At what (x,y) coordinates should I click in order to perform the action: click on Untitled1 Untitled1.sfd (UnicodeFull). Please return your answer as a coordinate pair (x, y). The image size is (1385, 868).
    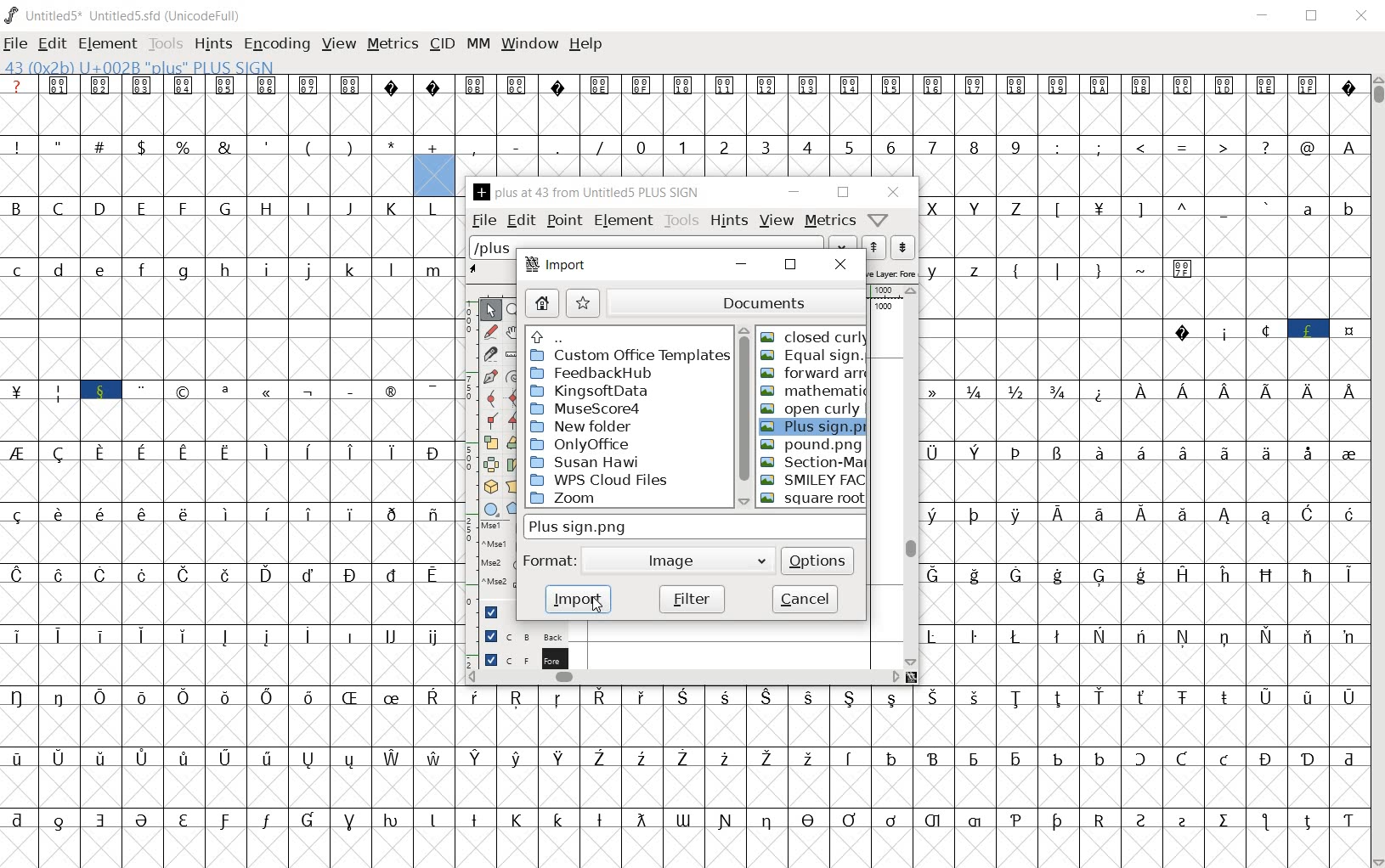
    Looking at the image, I should click on (127, 15).